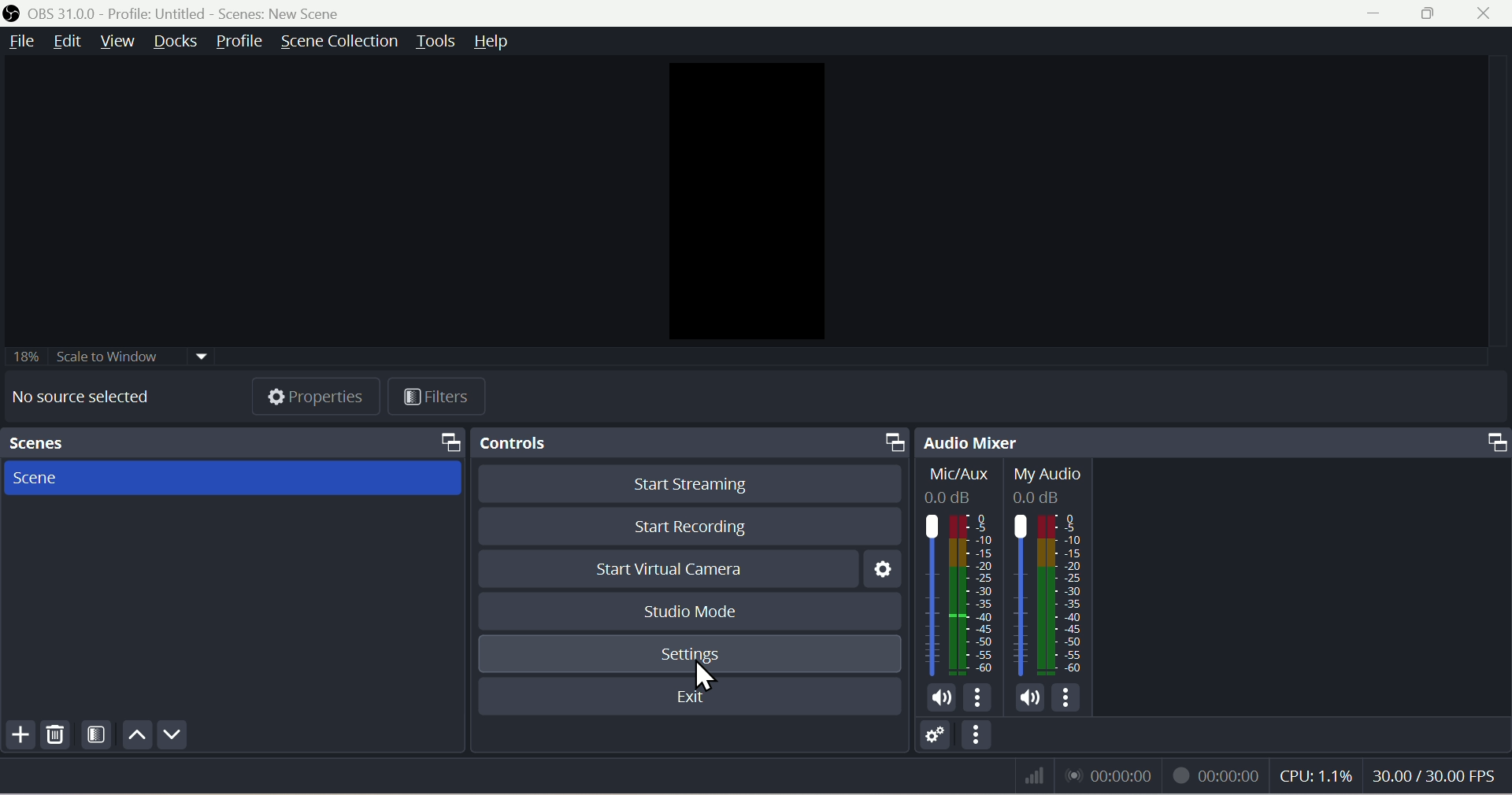 This screenshot has width=1512, height=795. I want to click on Help, so click(490, 42).